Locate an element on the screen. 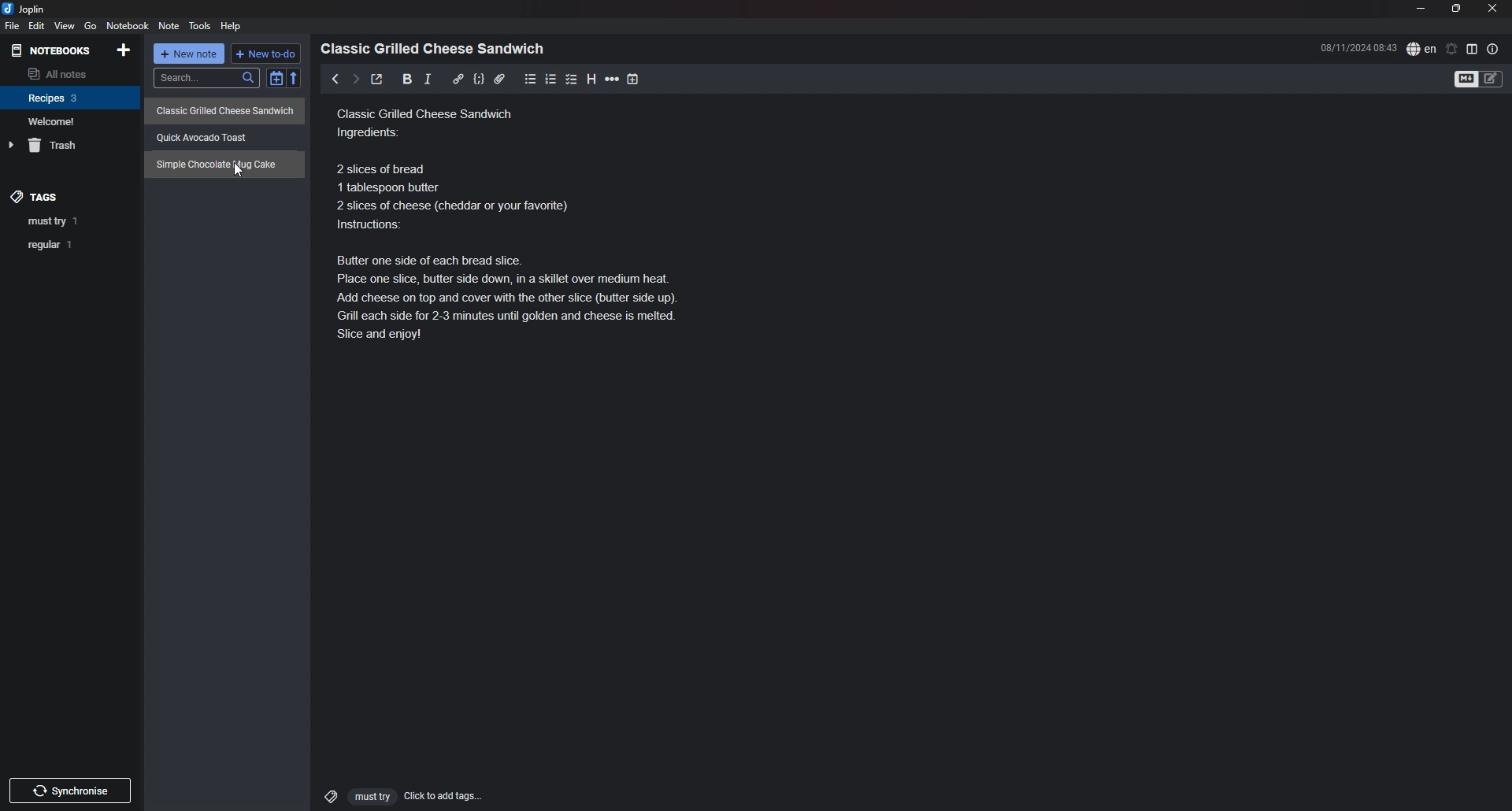 The width and height of the screenshot is (1512, 811). tags is located at coordinates (36, 192).